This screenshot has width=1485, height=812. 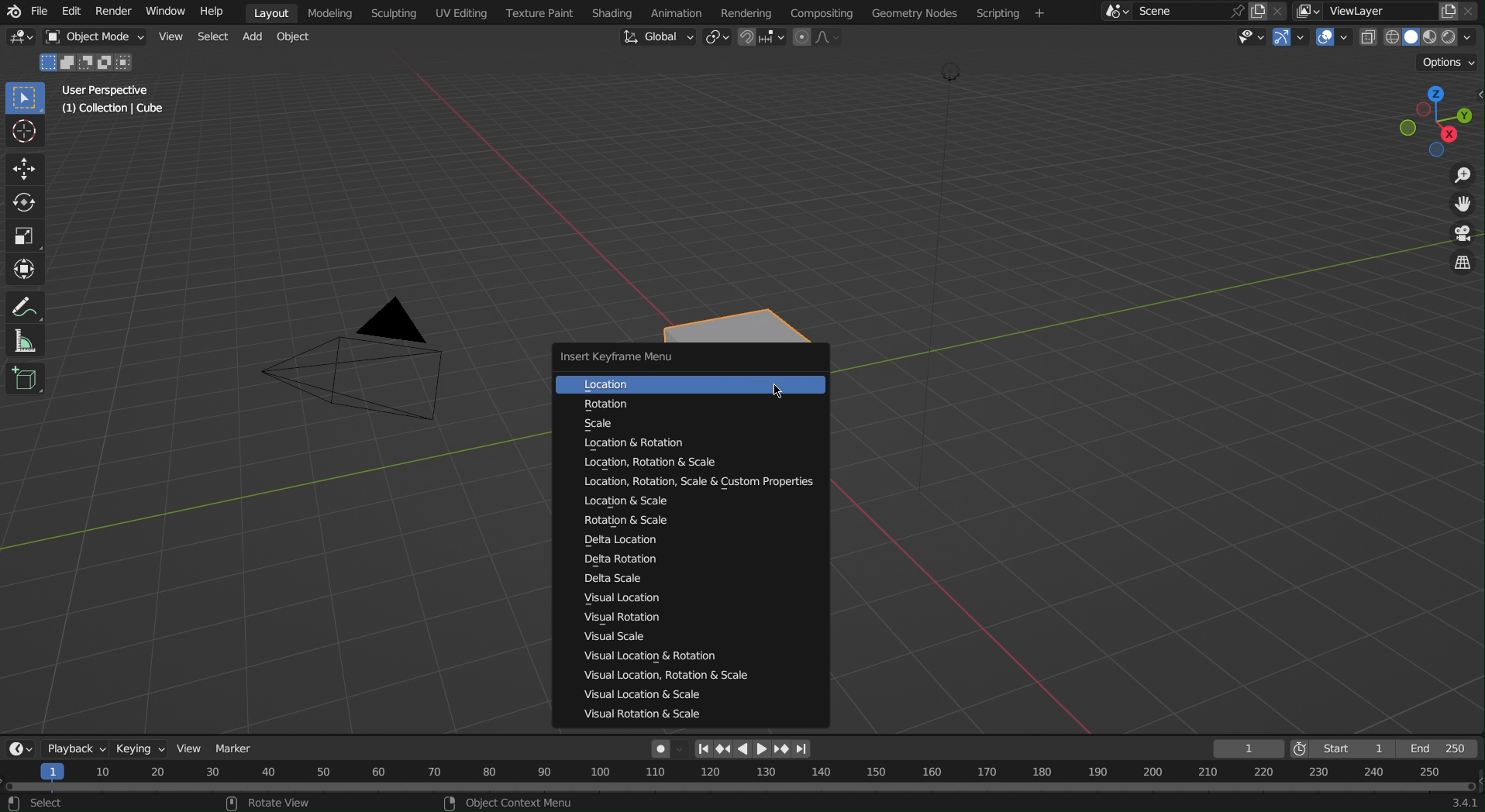 I want to click on File, so click(x=40, y=14).